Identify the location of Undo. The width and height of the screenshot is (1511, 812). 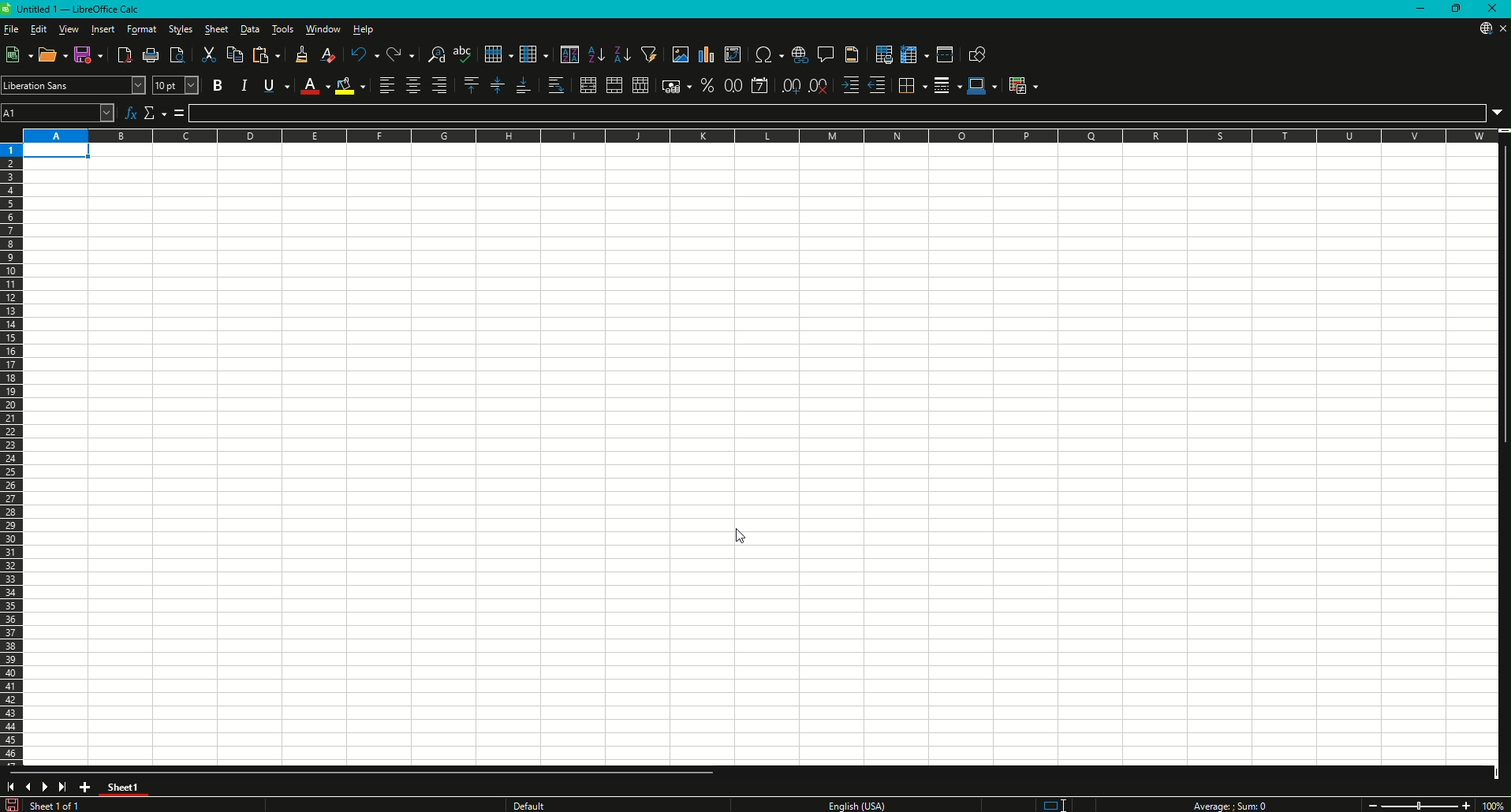
(365, 54).